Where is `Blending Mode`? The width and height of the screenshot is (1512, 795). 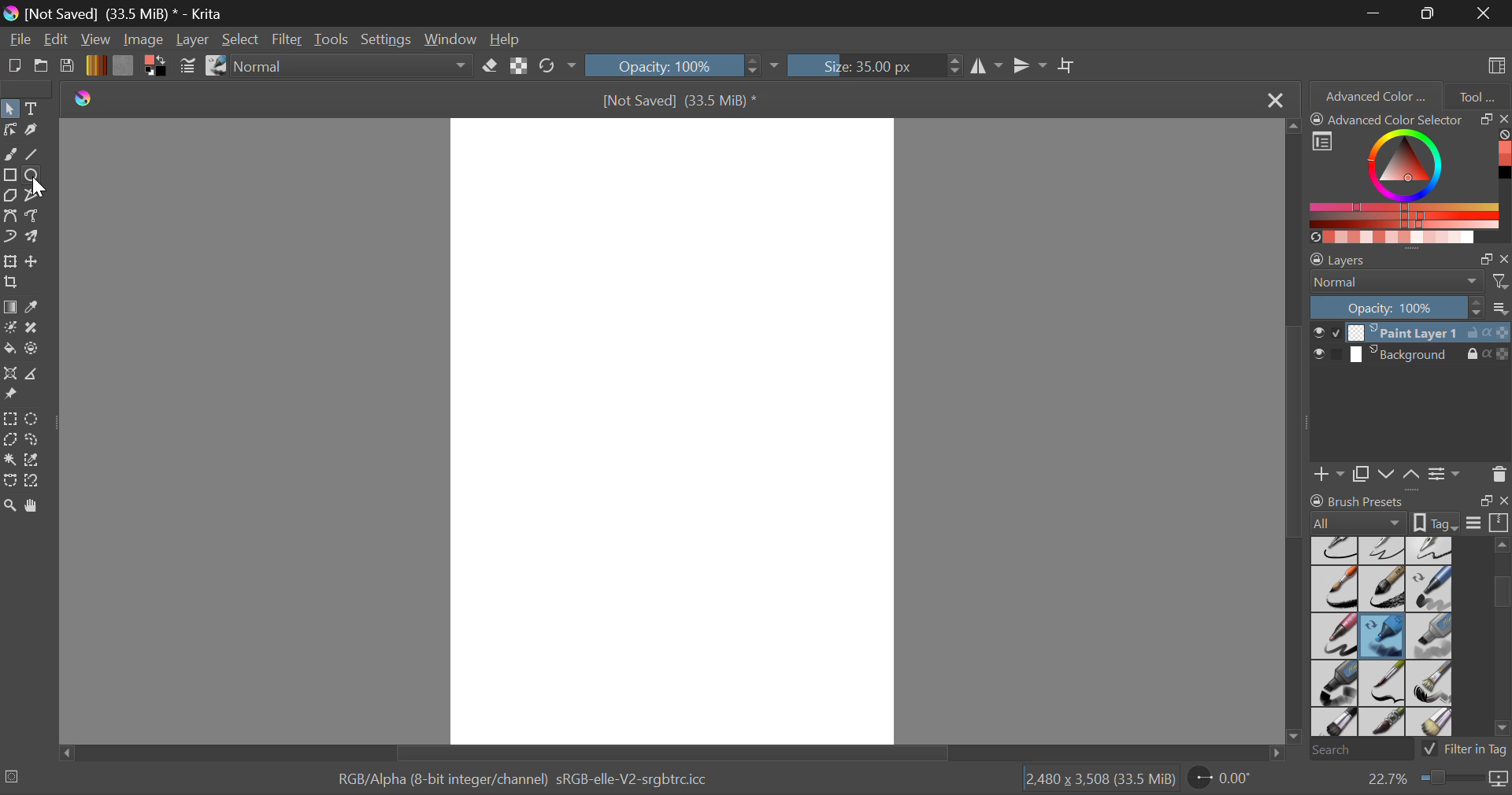
Blending Mode is located at coordinates (356, 67).